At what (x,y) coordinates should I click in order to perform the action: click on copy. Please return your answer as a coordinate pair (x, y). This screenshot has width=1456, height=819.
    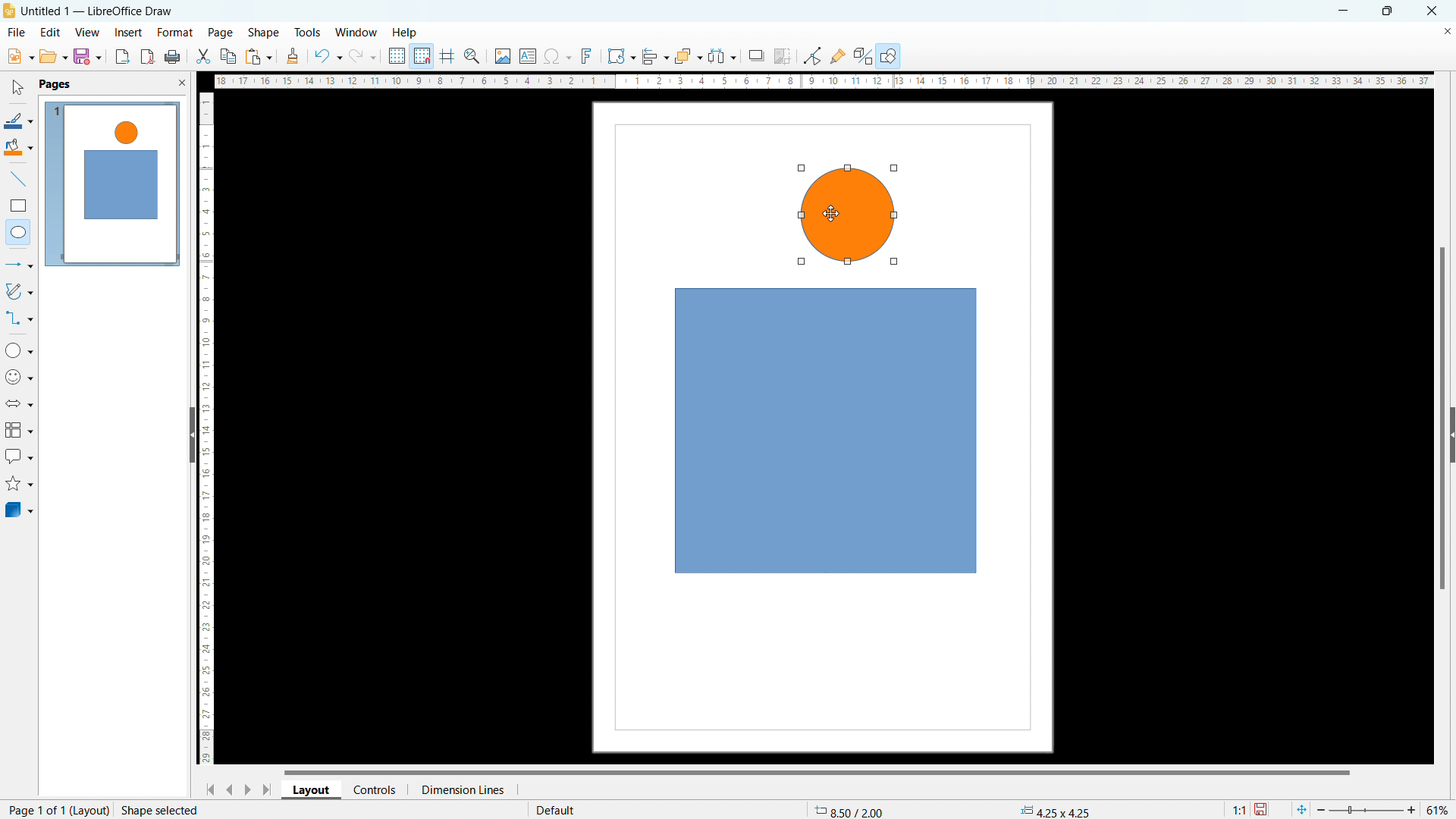
    Looking at the image, I should click on (229, 56).